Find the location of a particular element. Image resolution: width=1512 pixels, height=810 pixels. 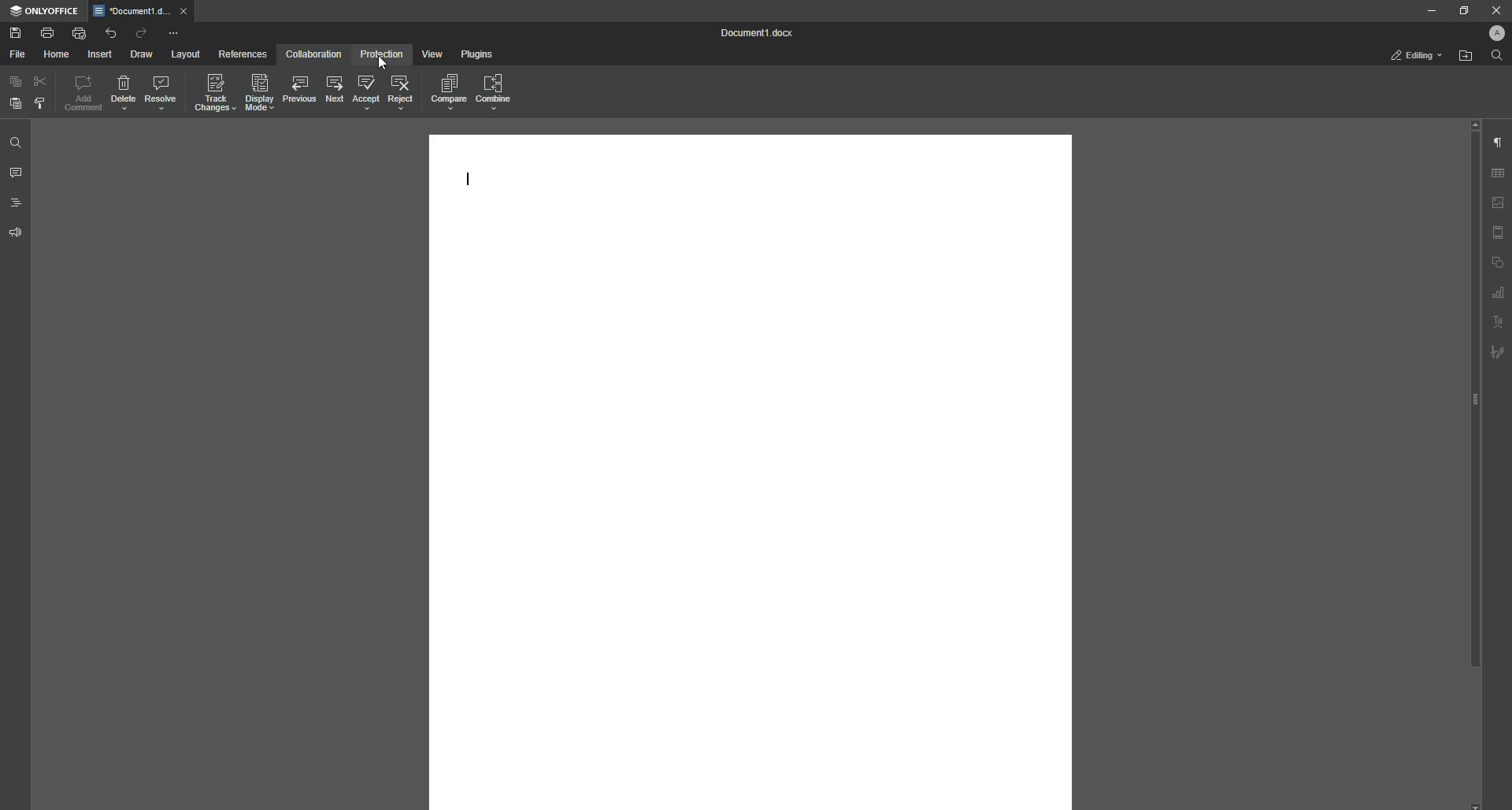

Display Mode is located at coordinates (261, 93).